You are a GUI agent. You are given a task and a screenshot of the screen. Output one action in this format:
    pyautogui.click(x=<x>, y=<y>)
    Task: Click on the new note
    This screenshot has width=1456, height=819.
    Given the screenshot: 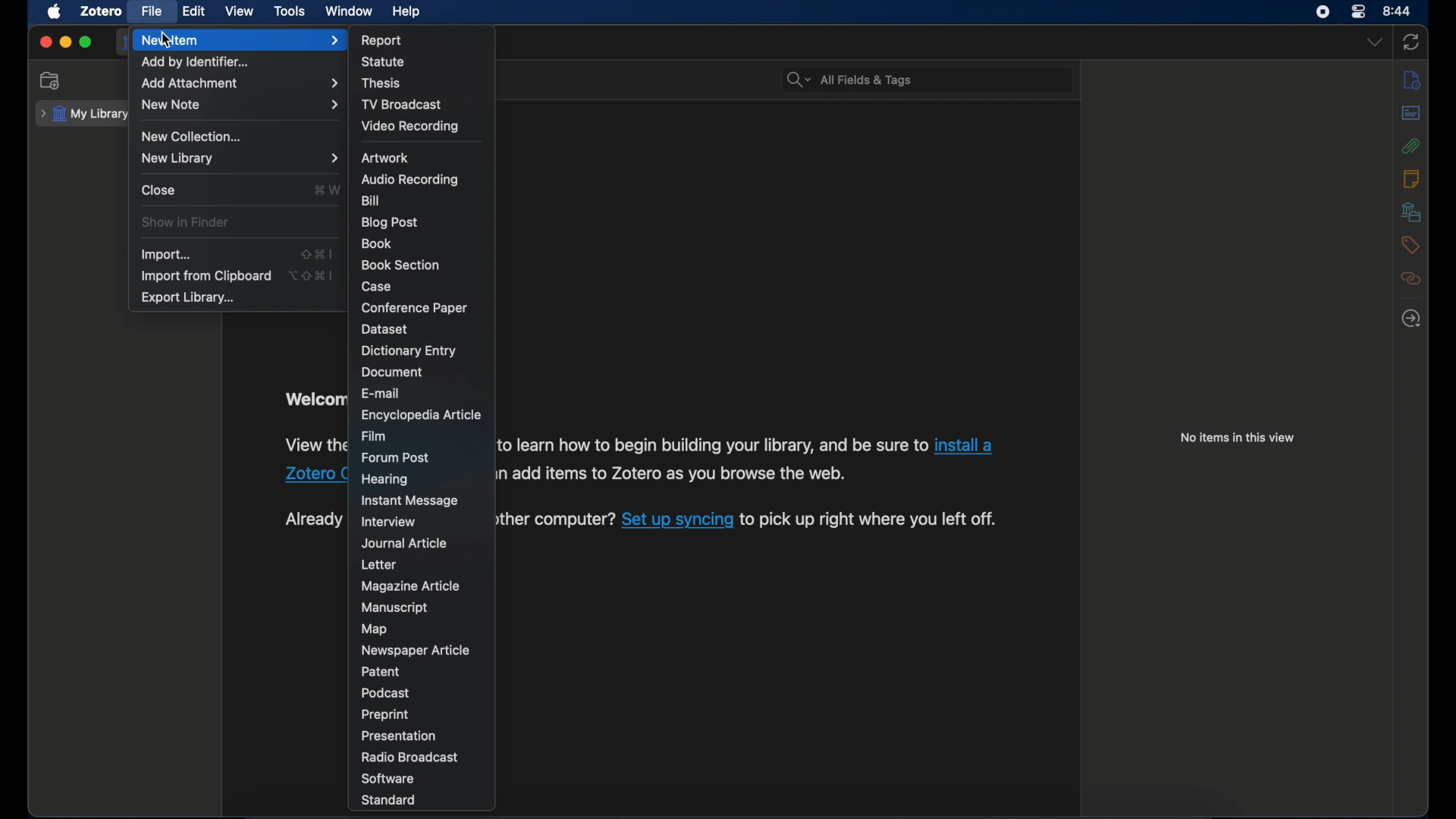 What is the action you would take?
    pyautogui.click(x=240, y=105)
    